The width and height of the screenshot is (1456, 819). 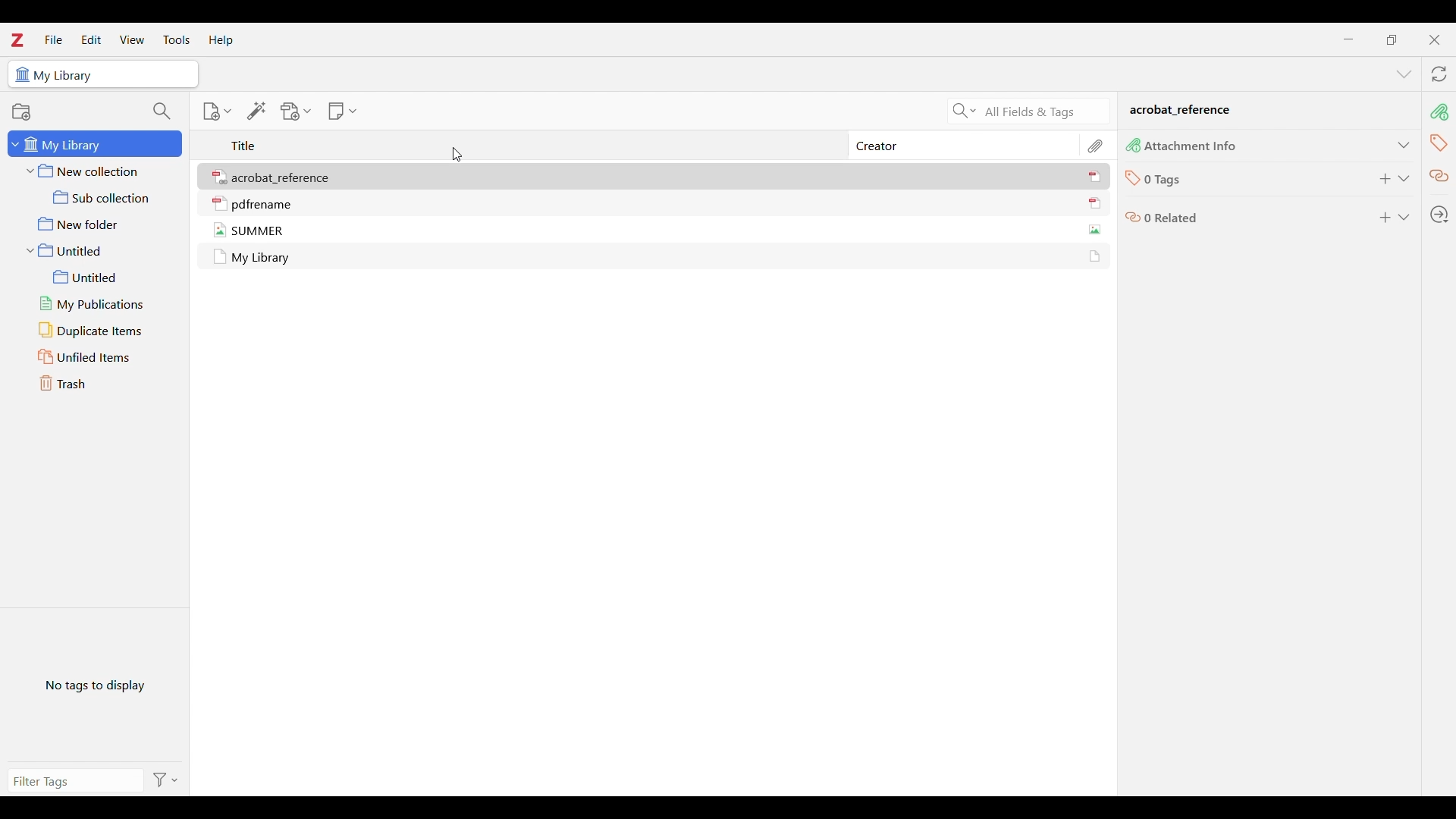 What do you see at coordinates (97, 197) in the screenshot?
I see `Sub collection` at bounding box center [97, 197].